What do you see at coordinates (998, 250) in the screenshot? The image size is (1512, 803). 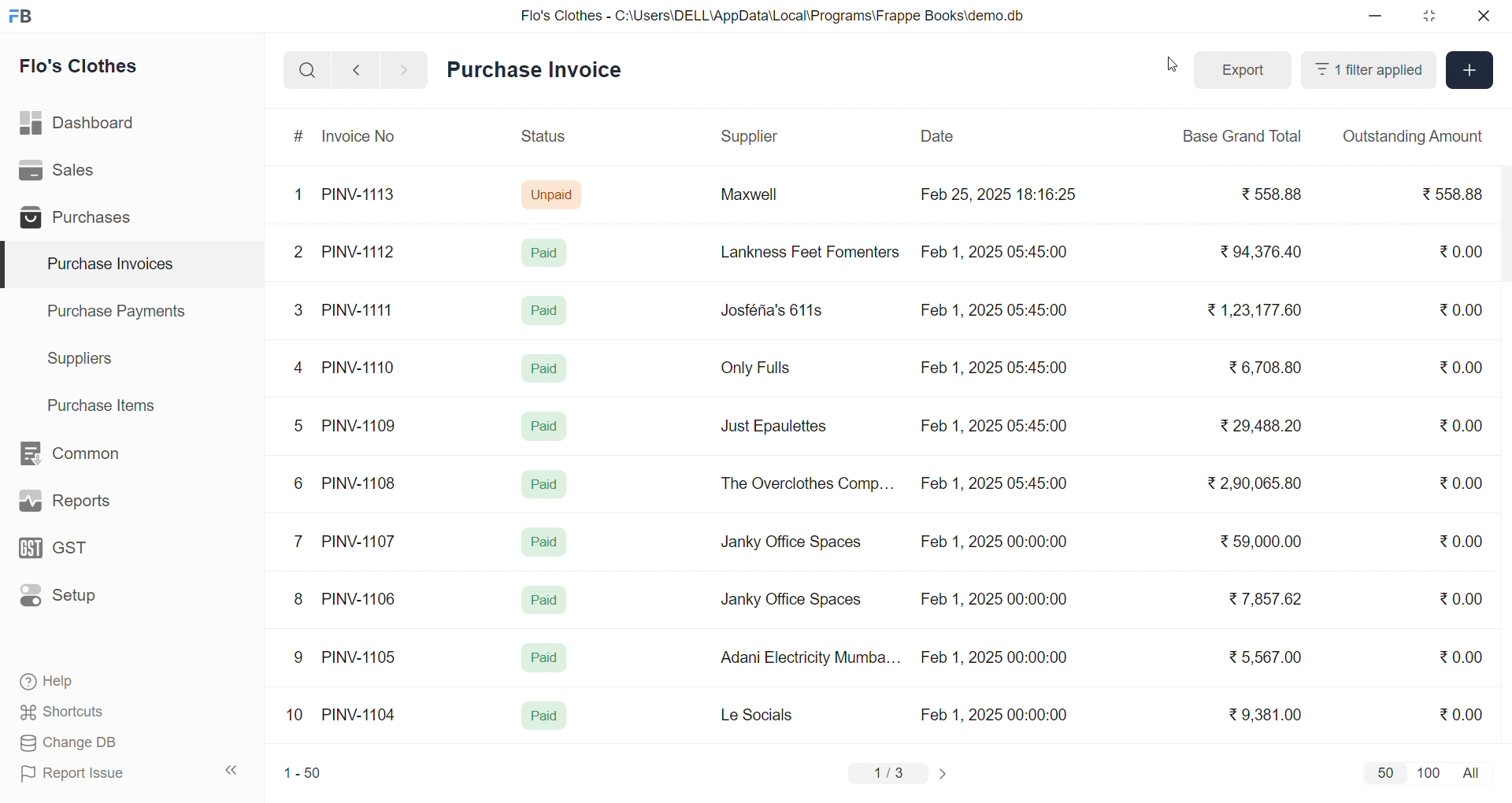 I see `Feb 1, 2025 05:45:00` at bounding box center [998, 250].